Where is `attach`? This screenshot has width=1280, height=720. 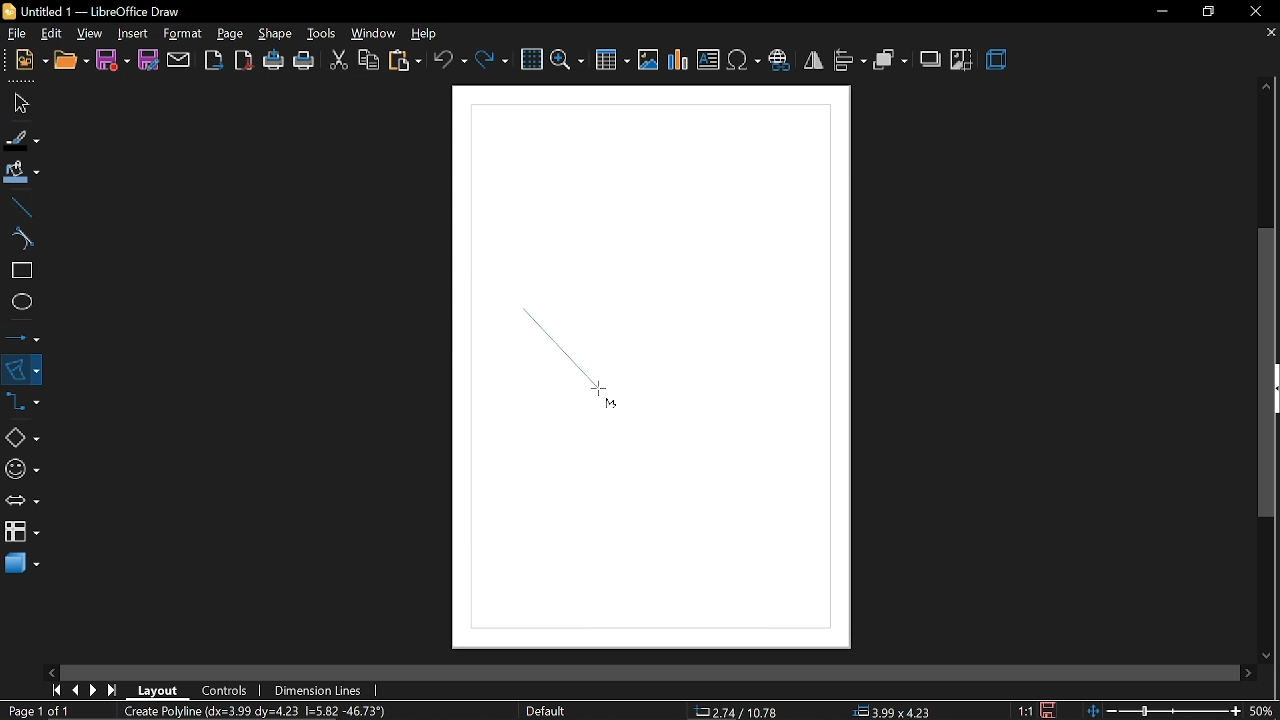 attach is located at coordinates (178, 60).